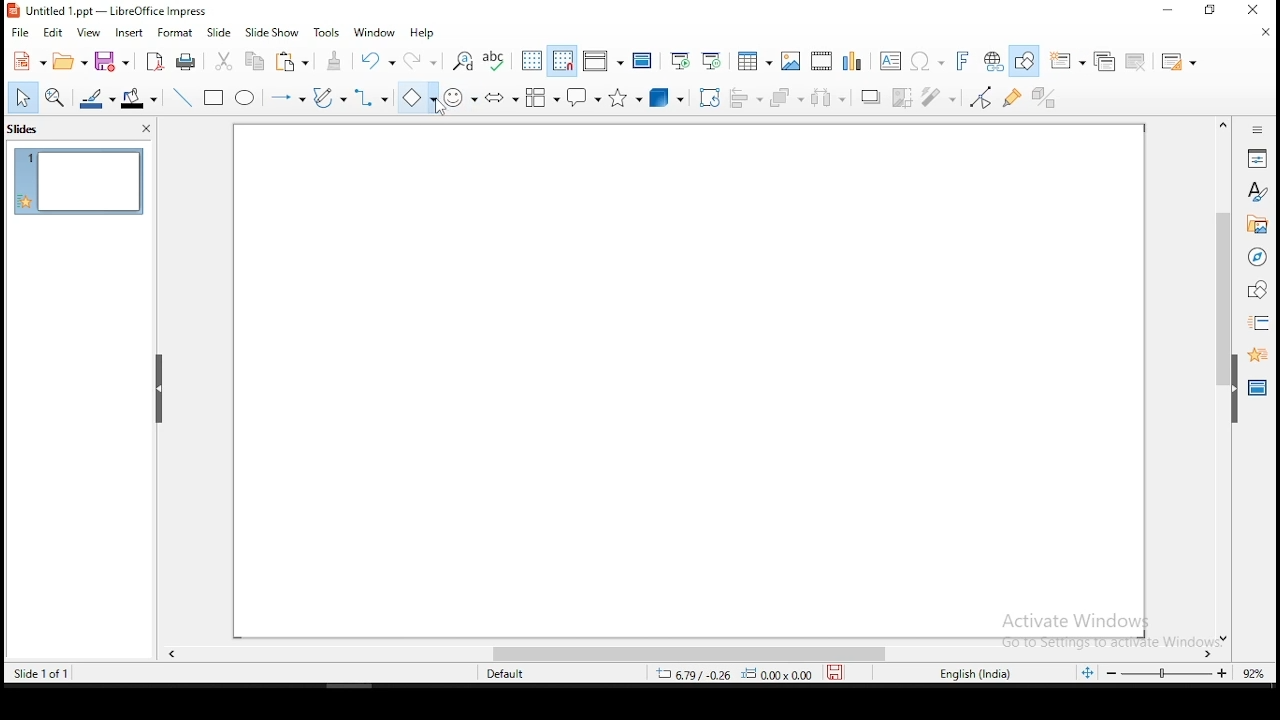 This screenshot has width=1280, height=720. Describe the element at coordinates (375, 33) in the screenshot. I see `window` at that location.